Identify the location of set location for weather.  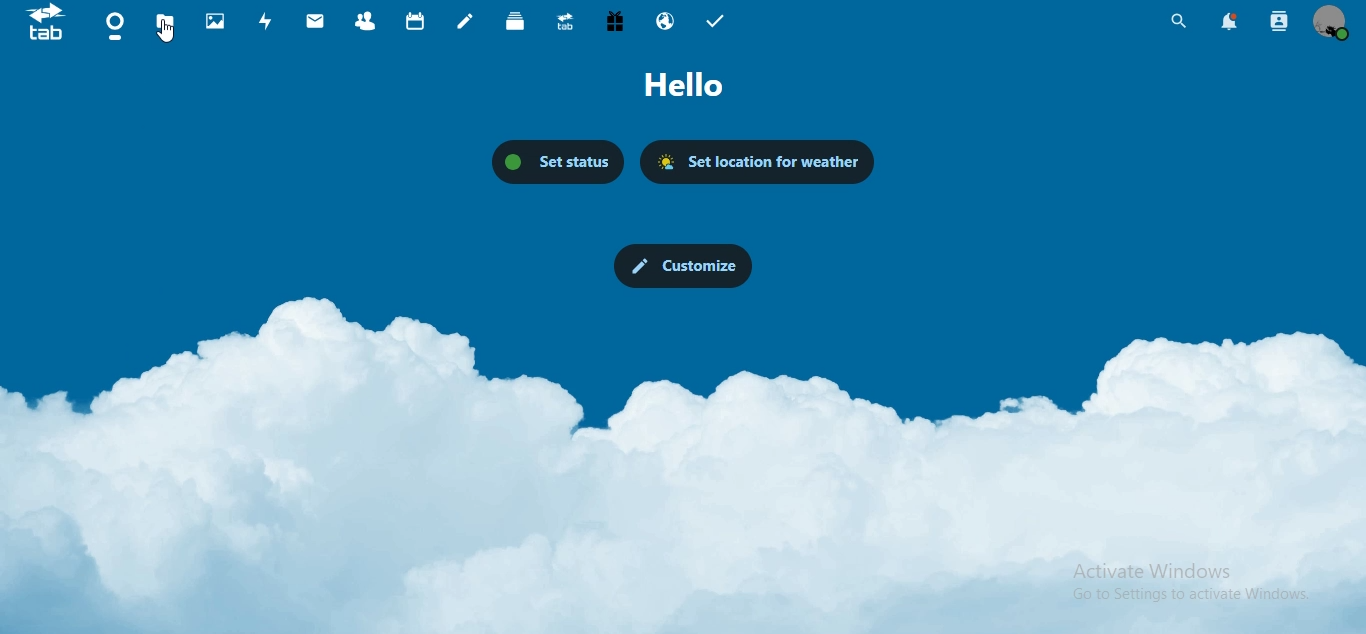
(756, 161).